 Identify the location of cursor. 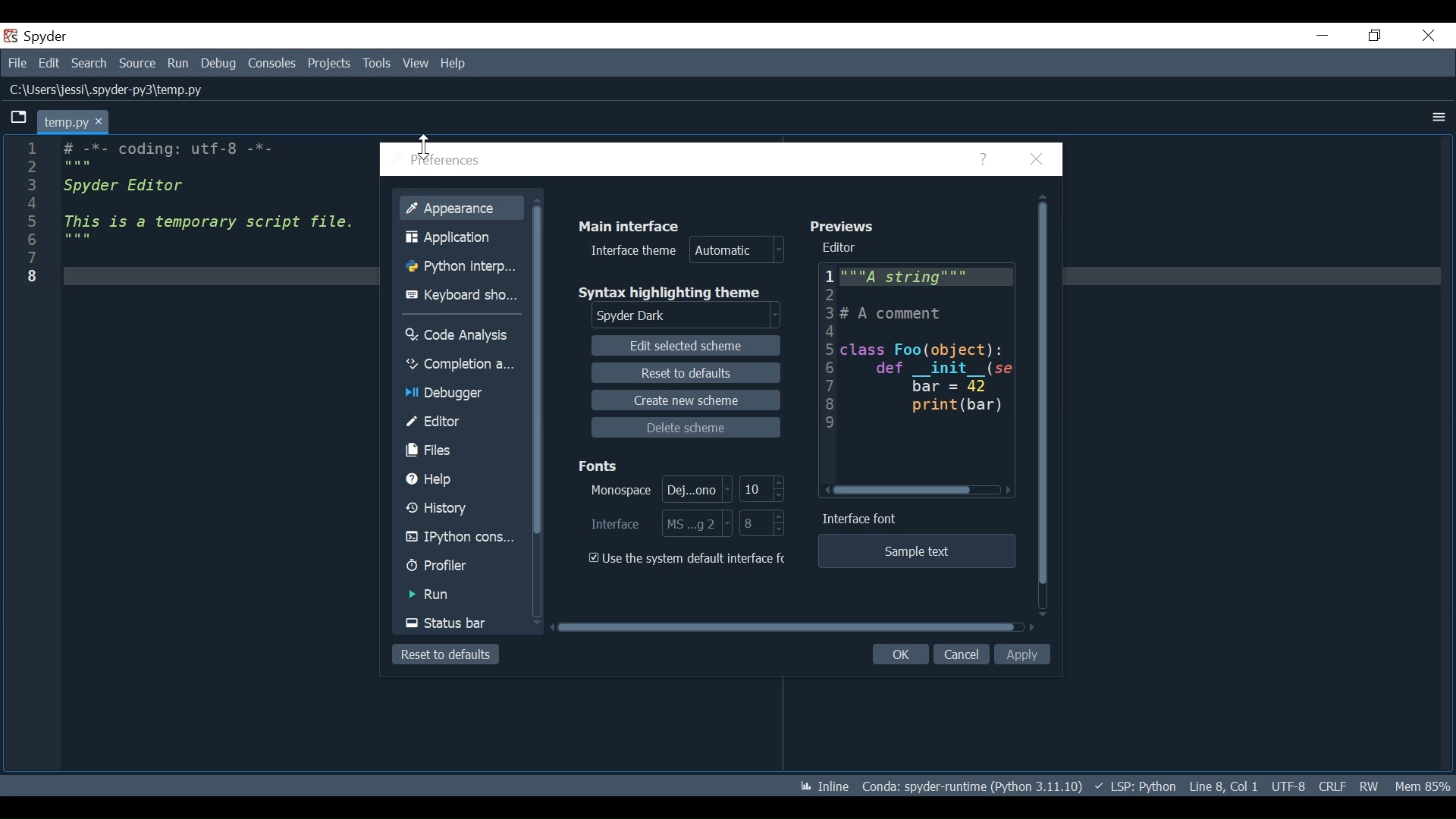
(425, 146).